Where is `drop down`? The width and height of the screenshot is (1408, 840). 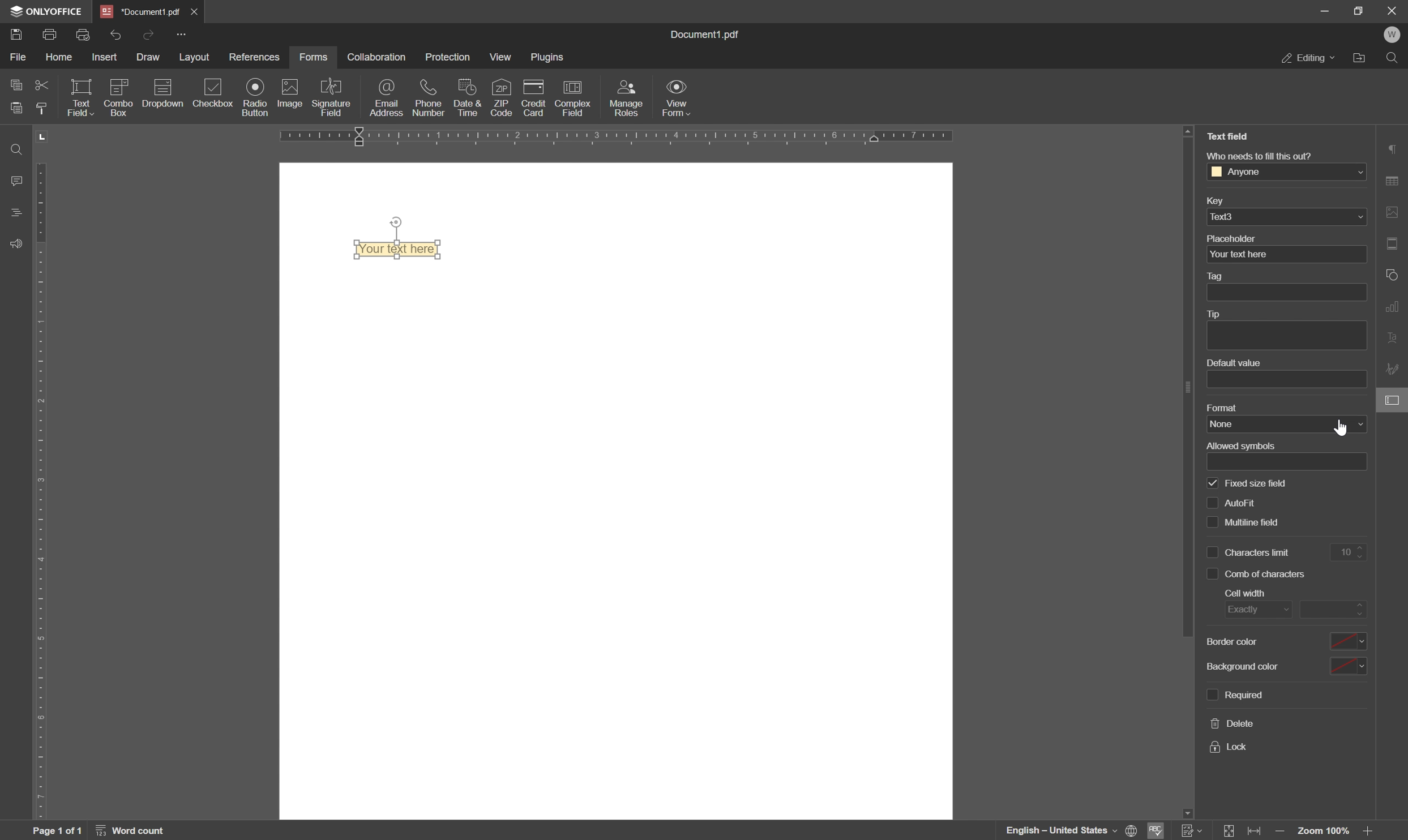 drop down is located at coordinates (1360, 217).